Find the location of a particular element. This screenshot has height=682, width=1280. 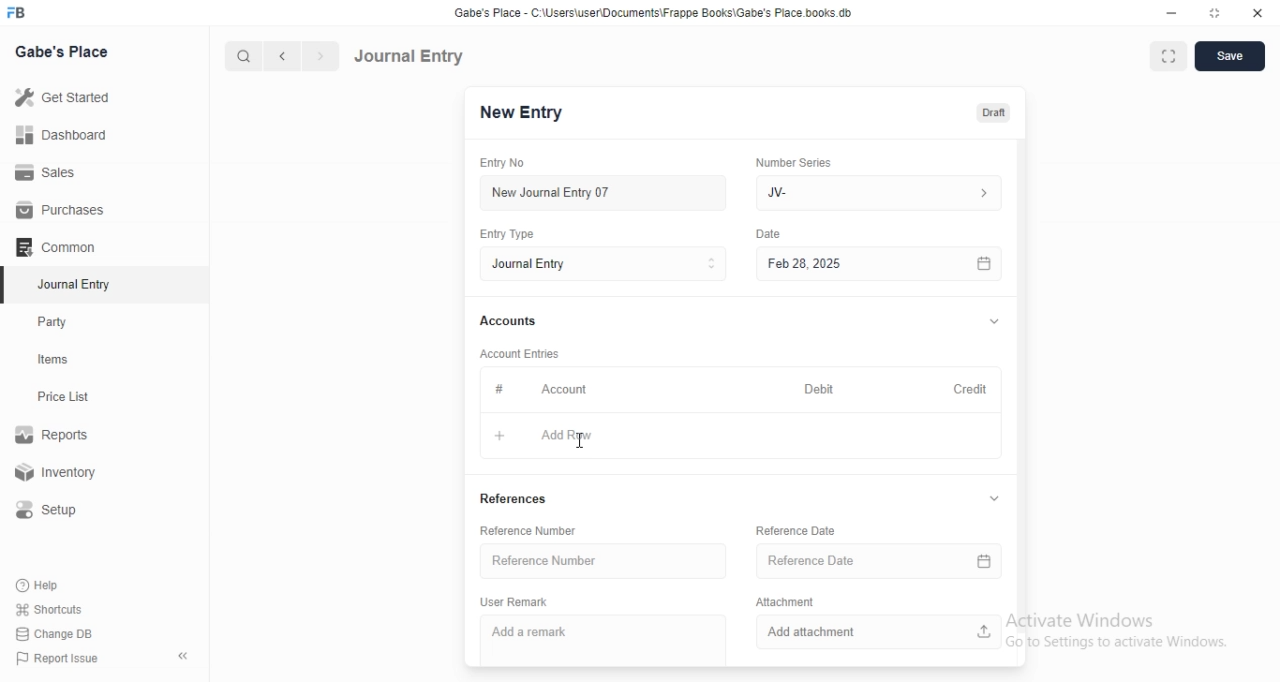

save is located at coordinates (1231, 56).